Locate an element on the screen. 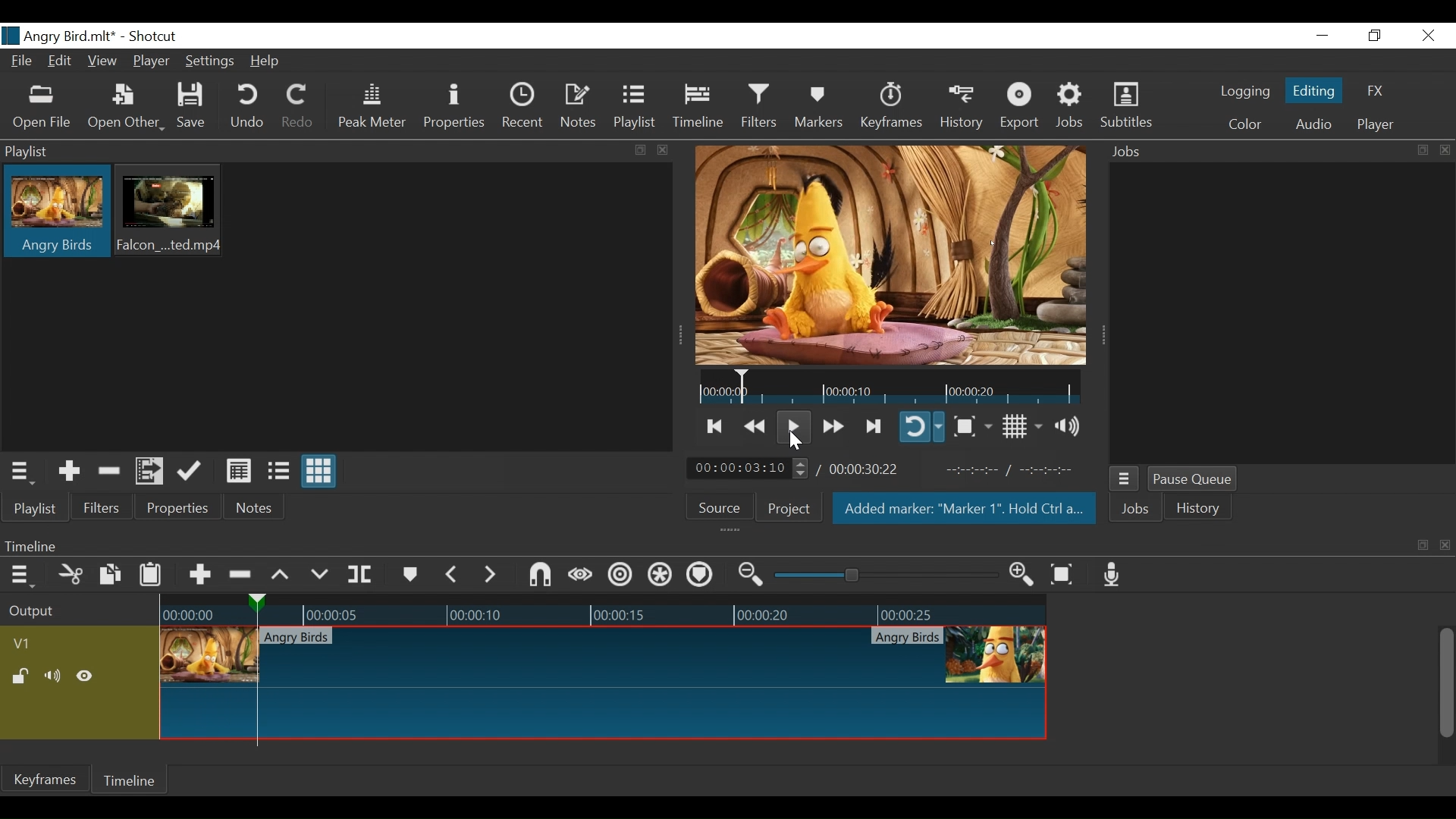  Add files to the playlist is located at coordinates (151, 472).